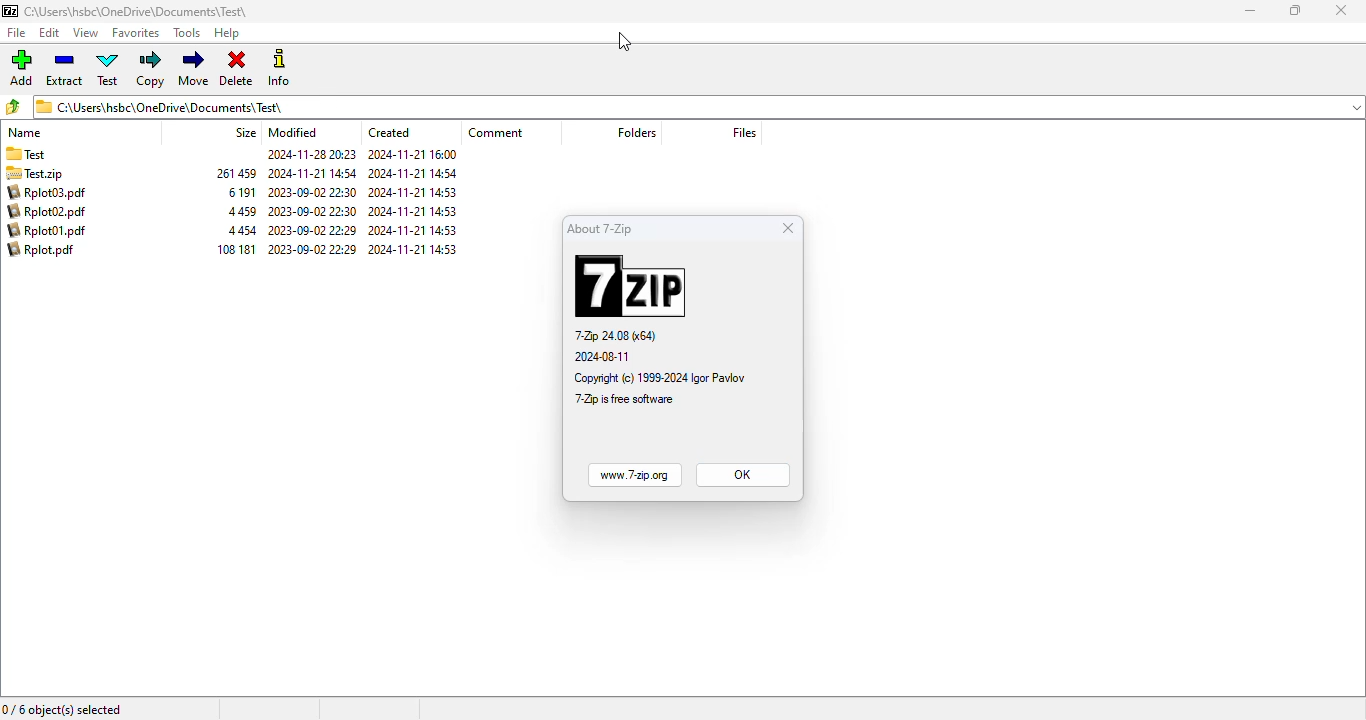 The image size is (1366, 720). Describe the element at coordinates (86, 33) in the screenshot. I see `view` at that location.